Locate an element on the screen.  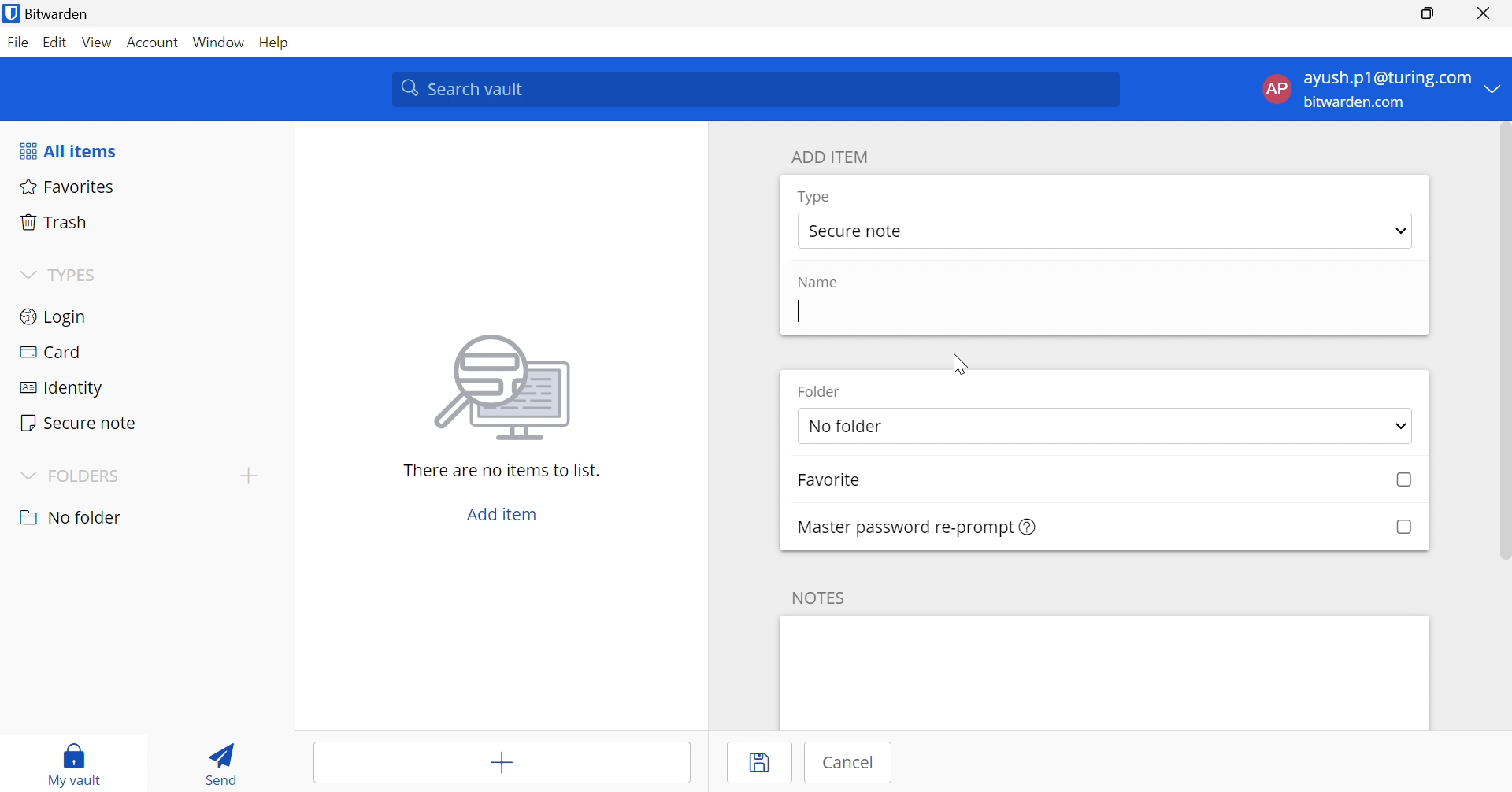
View is located at coordinates (98, 44).